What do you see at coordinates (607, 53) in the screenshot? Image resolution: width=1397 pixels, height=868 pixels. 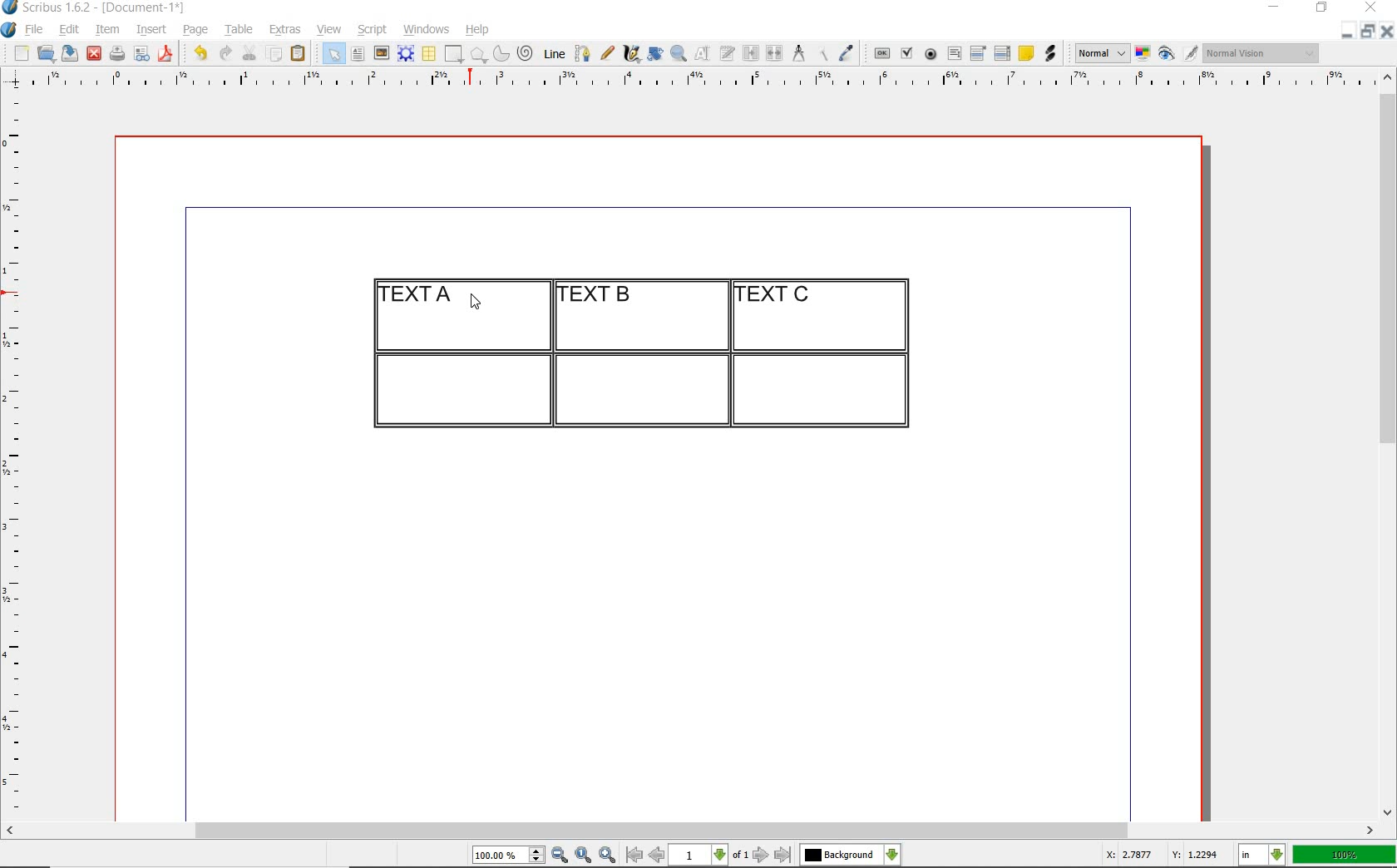 I see `freehand line` at bounding box center [607, 53].